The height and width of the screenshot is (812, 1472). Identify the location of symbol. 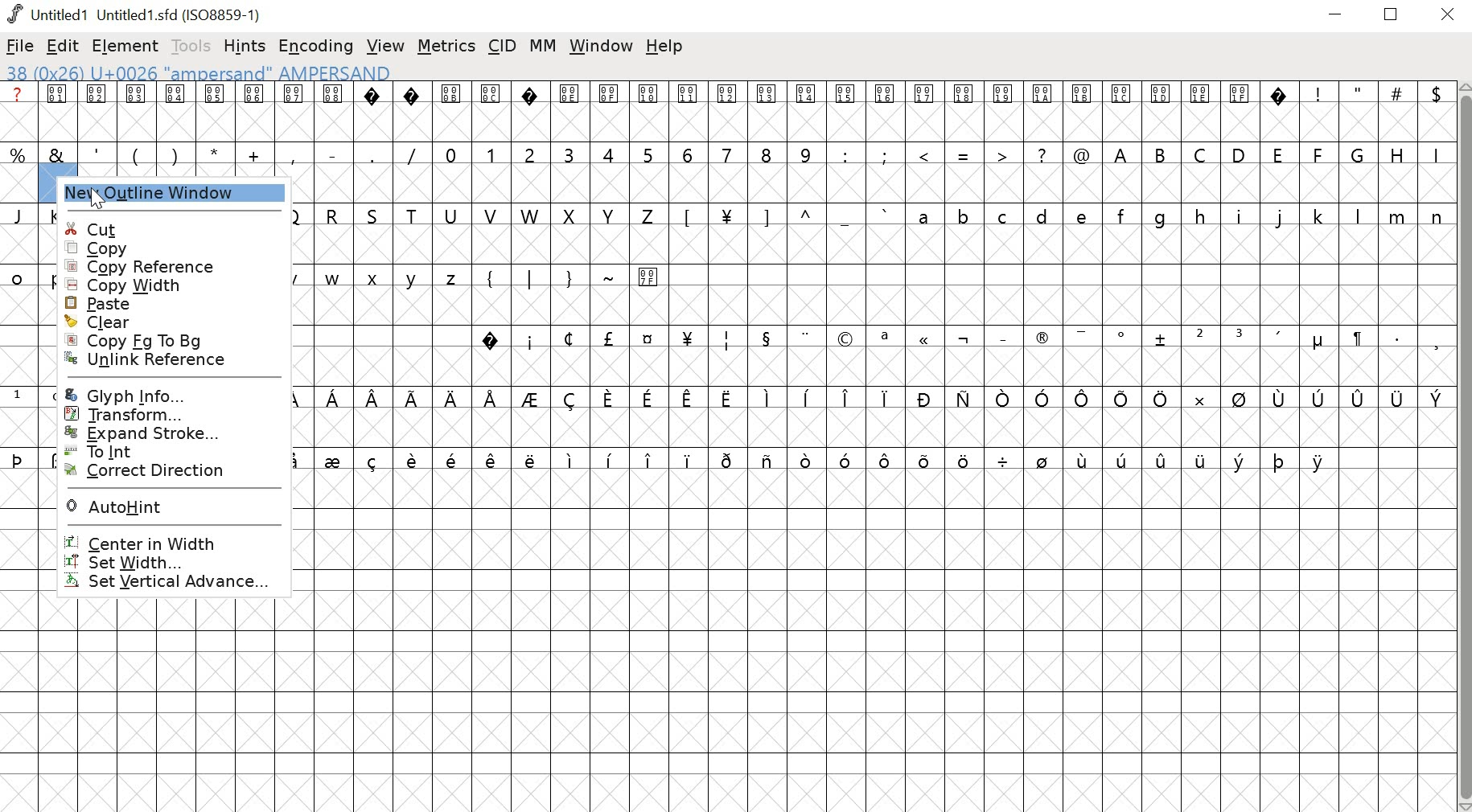
(567, 338).